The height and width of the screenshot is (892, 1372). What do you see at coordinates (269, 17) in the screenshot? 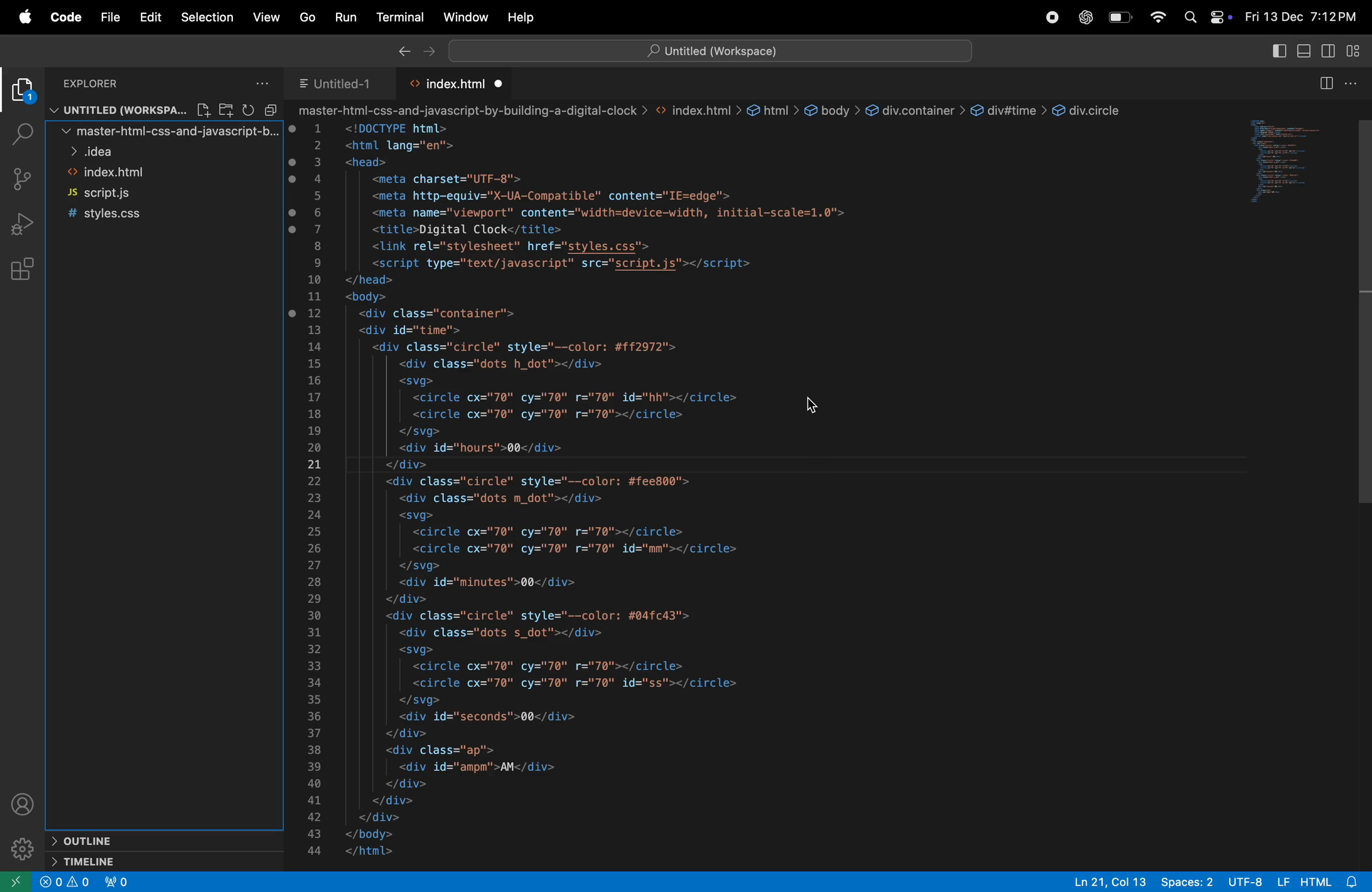
I see `view` at bounding box center [269, 17].